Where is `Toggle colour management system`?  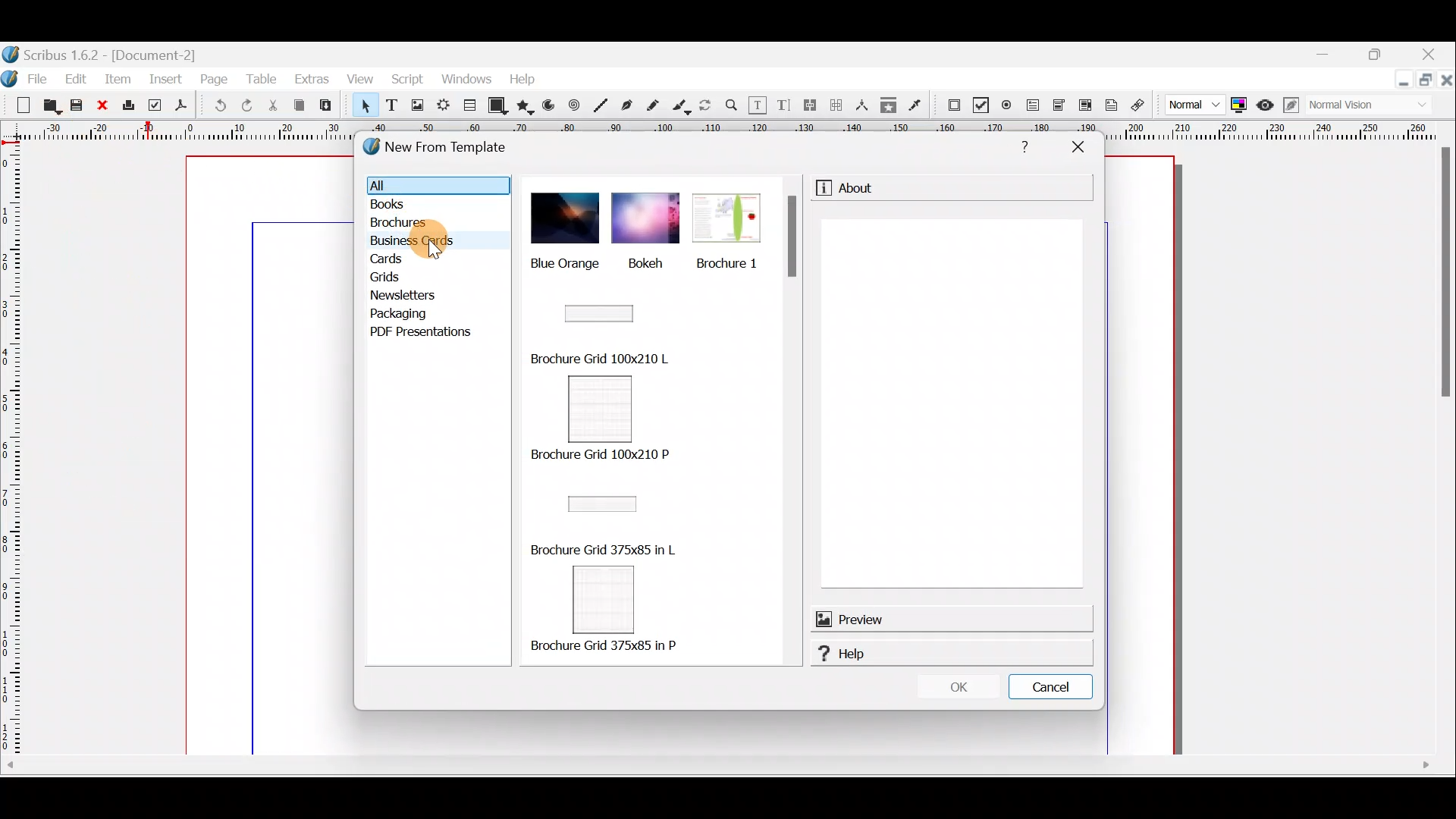 Toggle colour management system is located at coordinates (1240, 104).